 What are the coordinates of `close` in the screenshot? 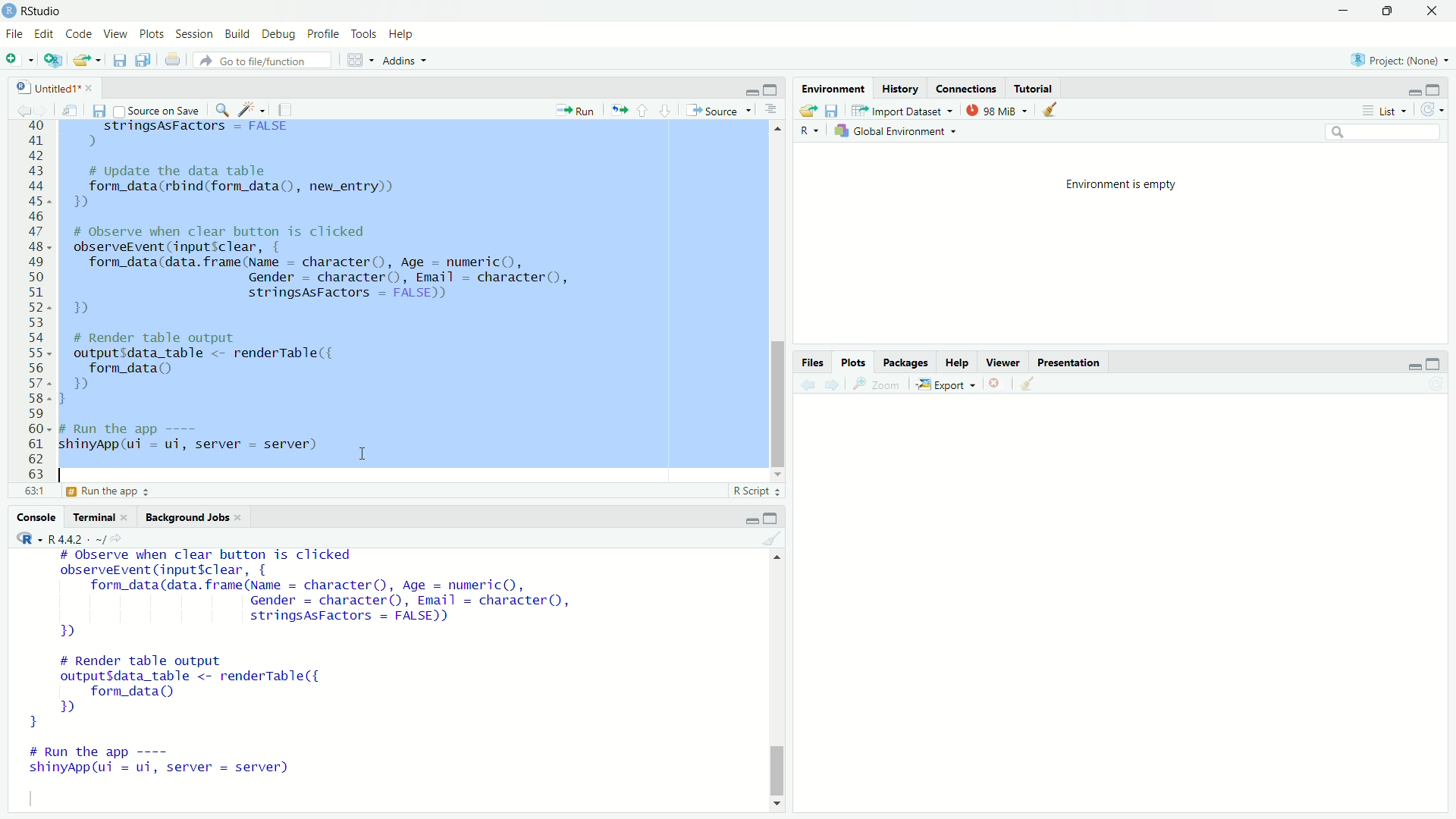 It's located at (1436, 11).